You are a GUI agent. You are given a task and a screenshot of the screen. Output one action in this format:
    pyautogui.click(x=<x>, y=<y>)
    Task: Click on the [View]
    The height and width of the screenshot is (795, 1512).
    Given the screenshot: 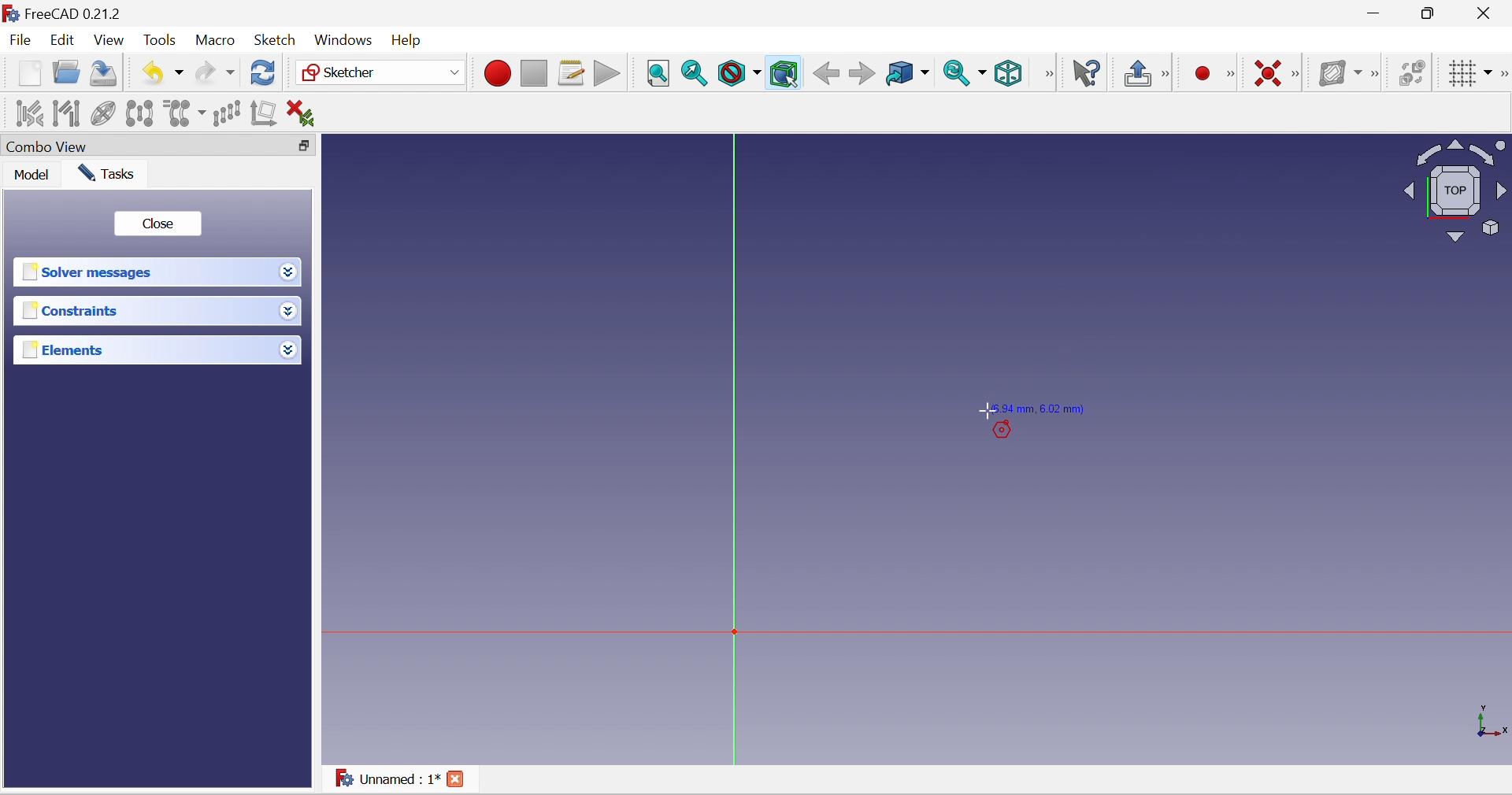 What is the action you would take?
    pyautogui.click(x=1044, y=72)
    